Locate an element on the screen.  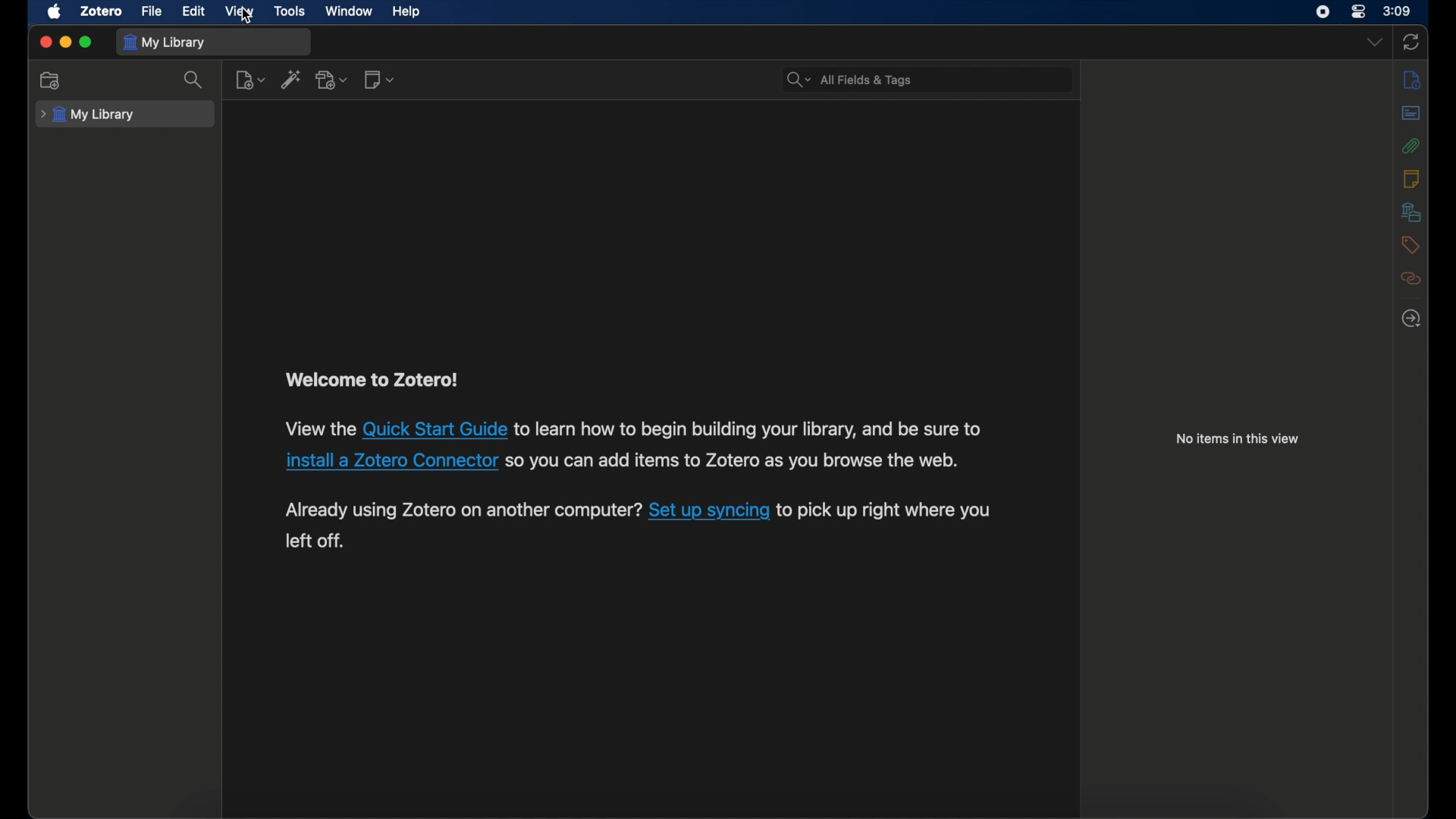
video is located at coordinates (238, 10).